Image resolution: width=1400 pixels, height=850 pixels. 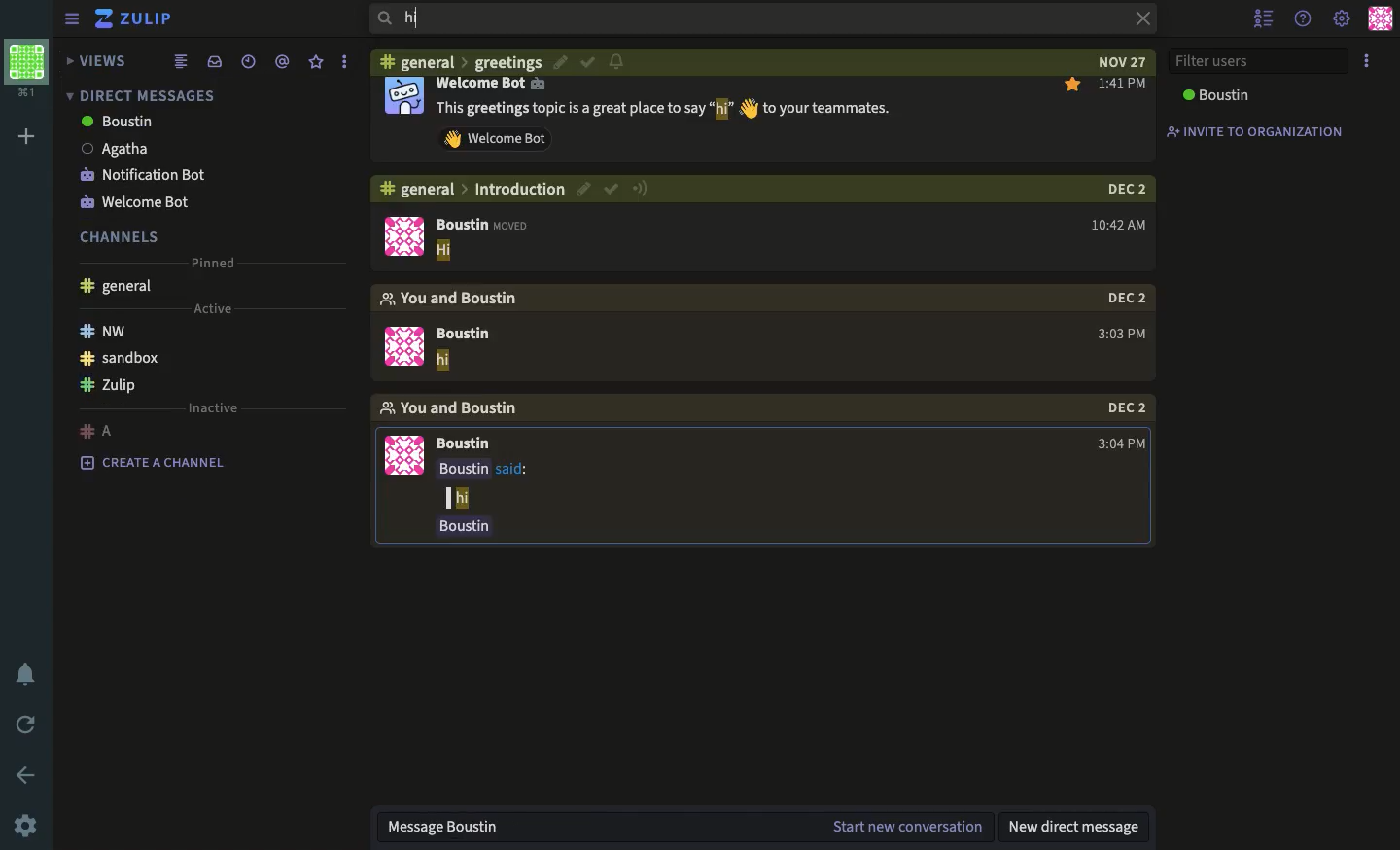 I want to click on edit, so click(x=585, y=189).